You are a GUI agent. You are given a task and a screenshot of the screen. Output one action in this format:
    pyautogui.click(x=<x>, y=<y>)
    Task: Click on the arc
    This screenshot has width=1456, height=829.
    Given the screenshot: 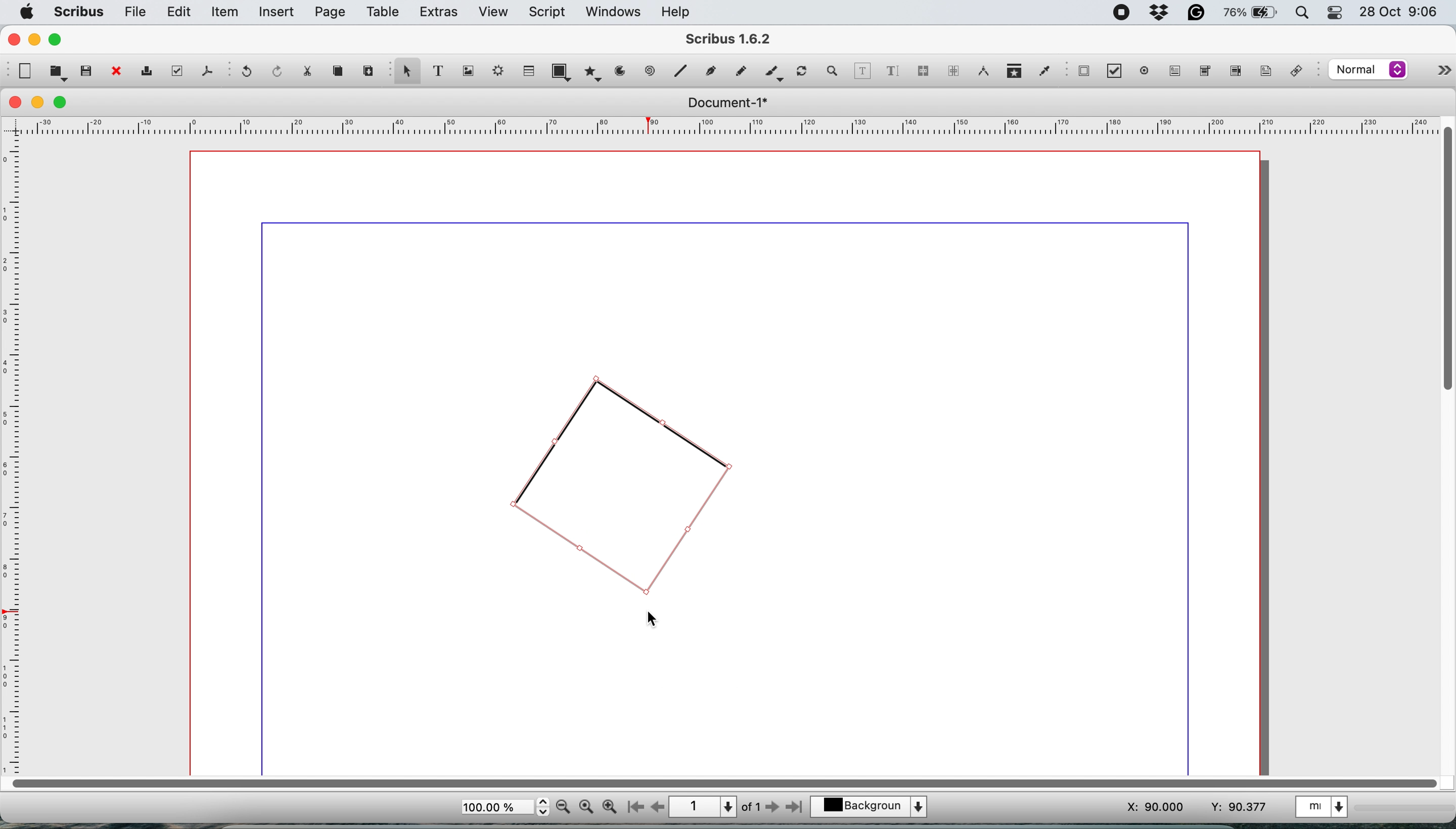 What is the action you would take?
    pyautogui.click(x=619, y=75)
    